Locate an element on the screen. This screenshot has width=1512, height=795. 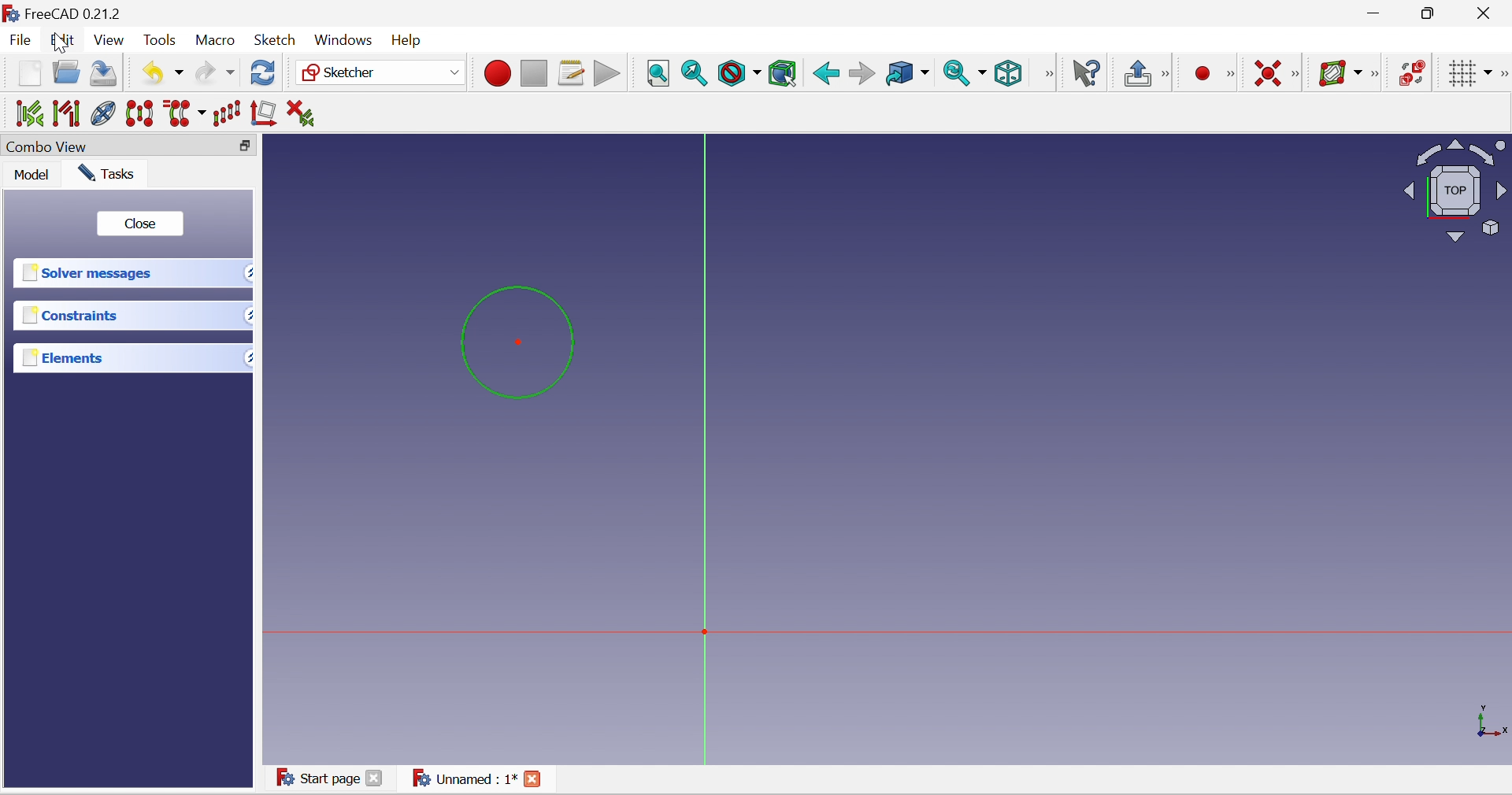
x, y, z axis is located at coordinates (1492, 719).